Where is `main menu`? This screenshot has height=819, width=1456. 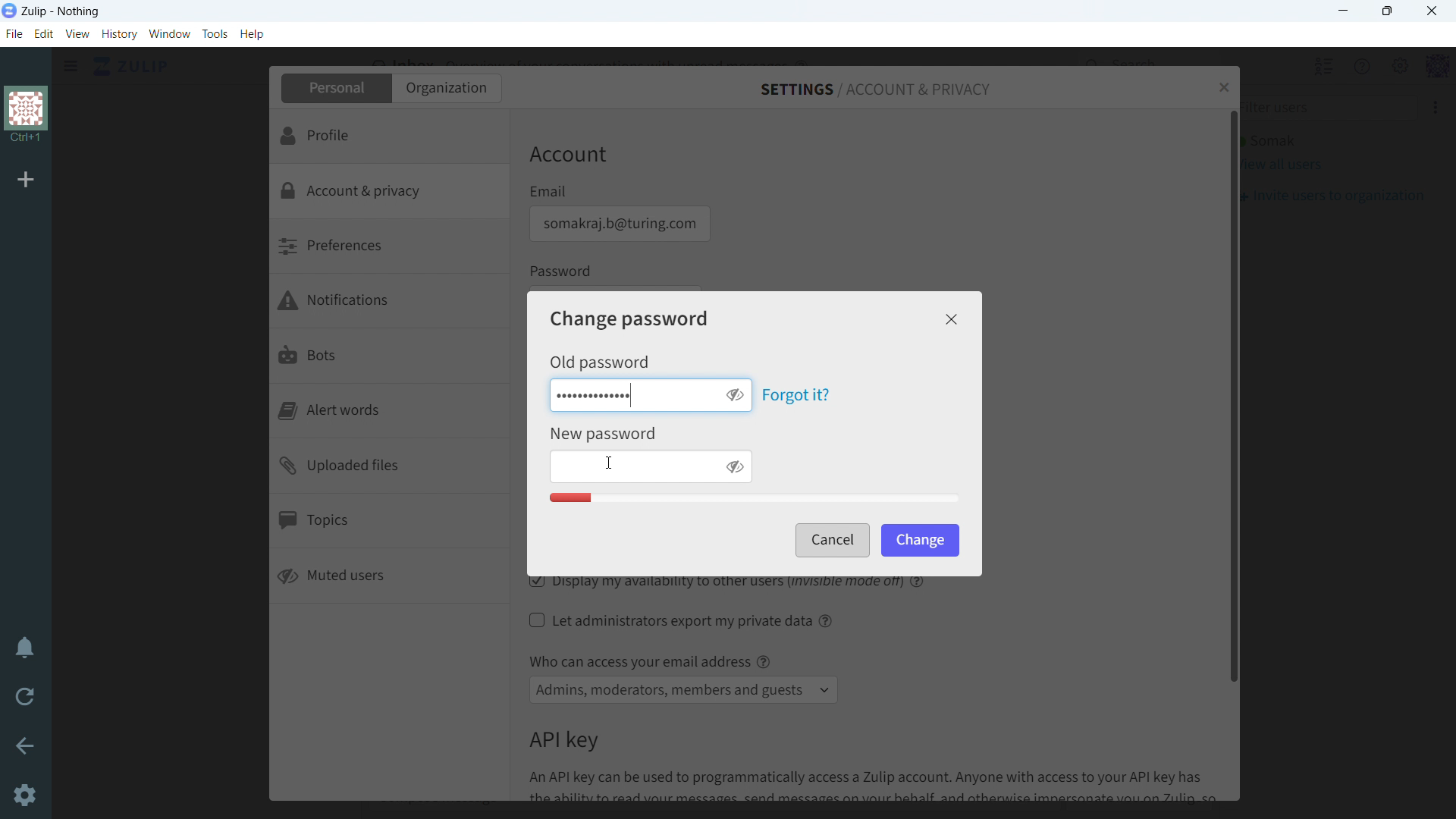
main menu is located at coordinates (1398, 67).